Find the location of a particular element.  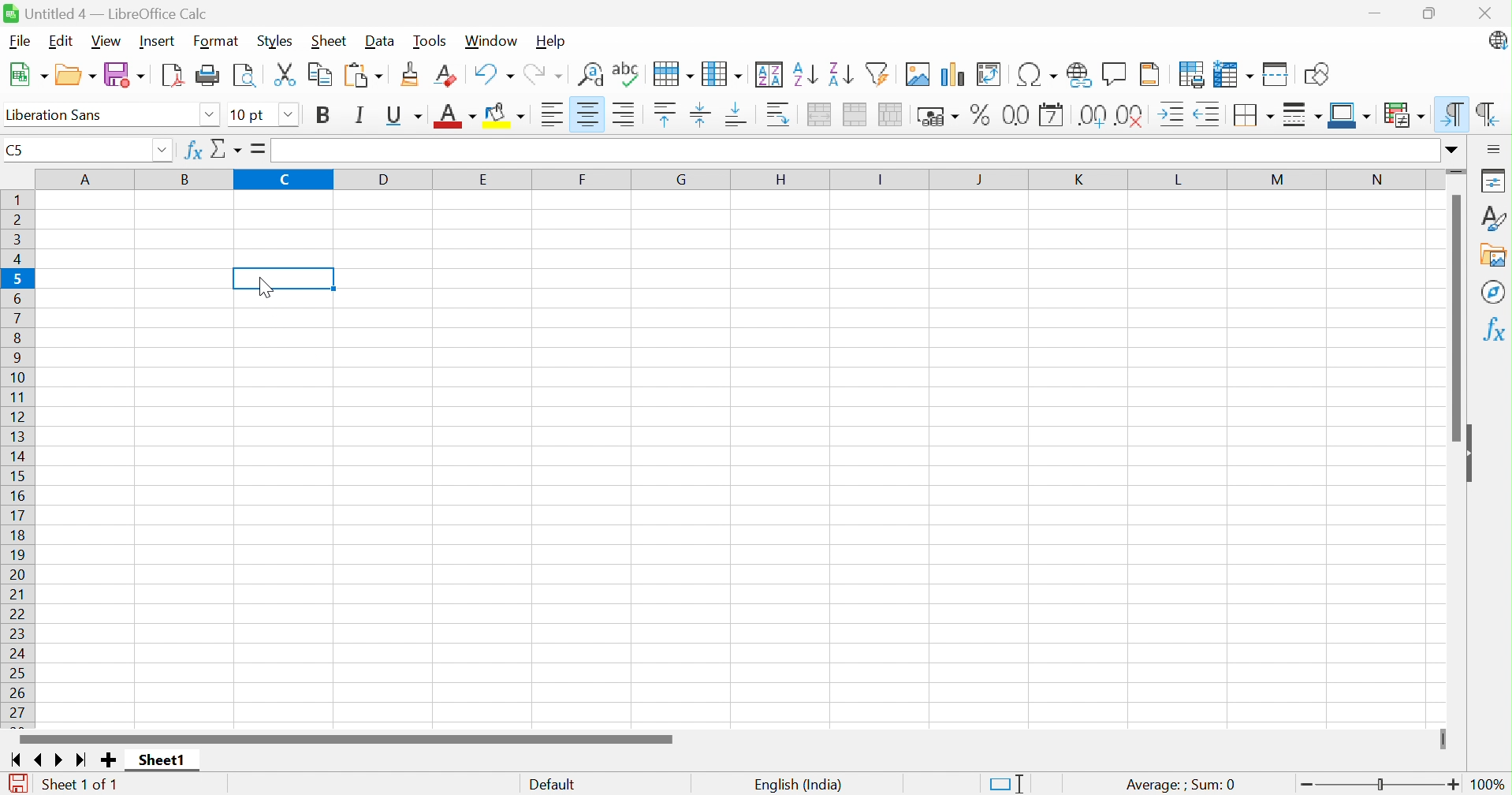

Format as Percent is located at coordinates (978, 116).